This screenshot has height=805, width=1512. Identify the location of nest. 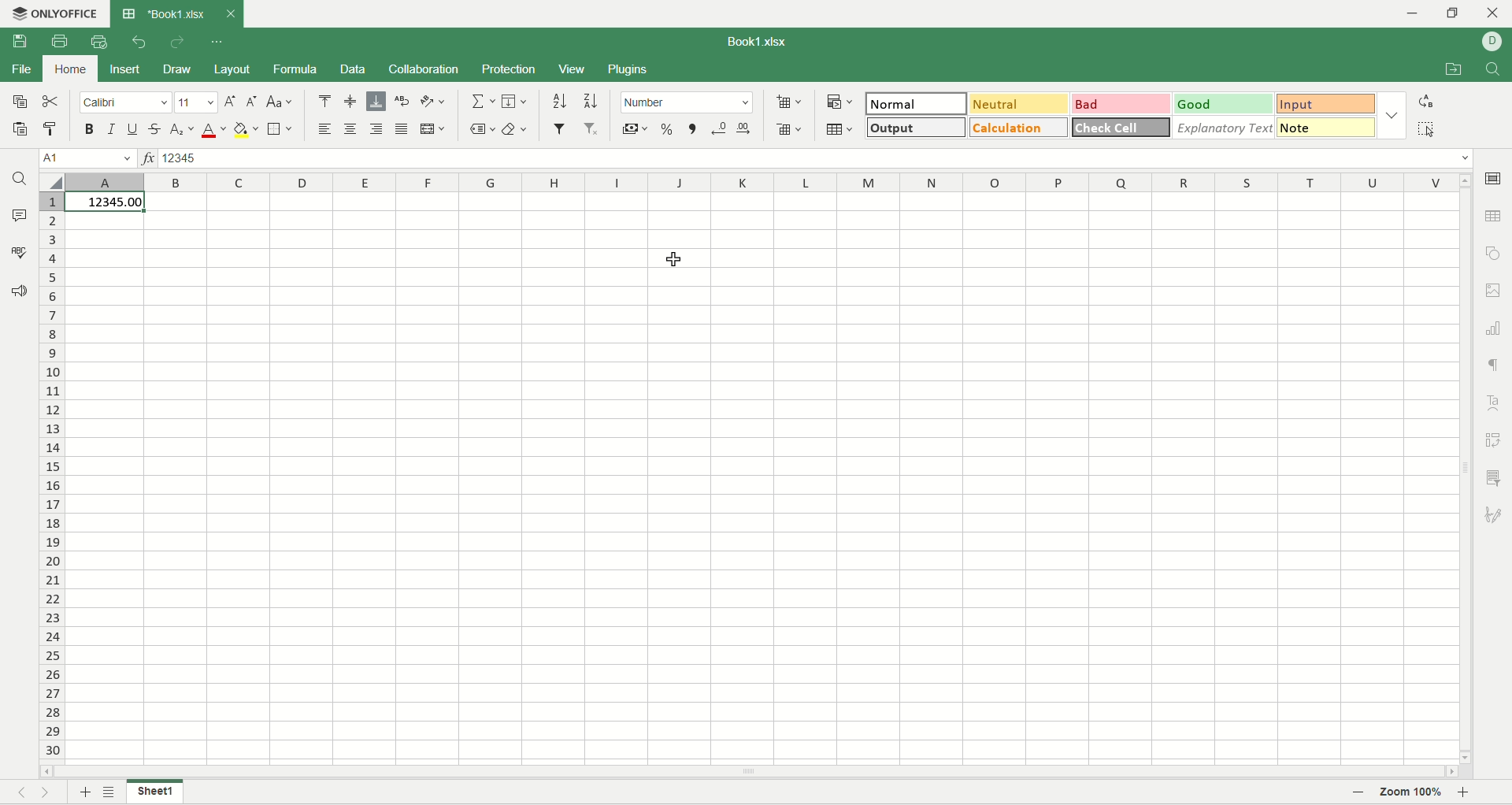
(48, 792).